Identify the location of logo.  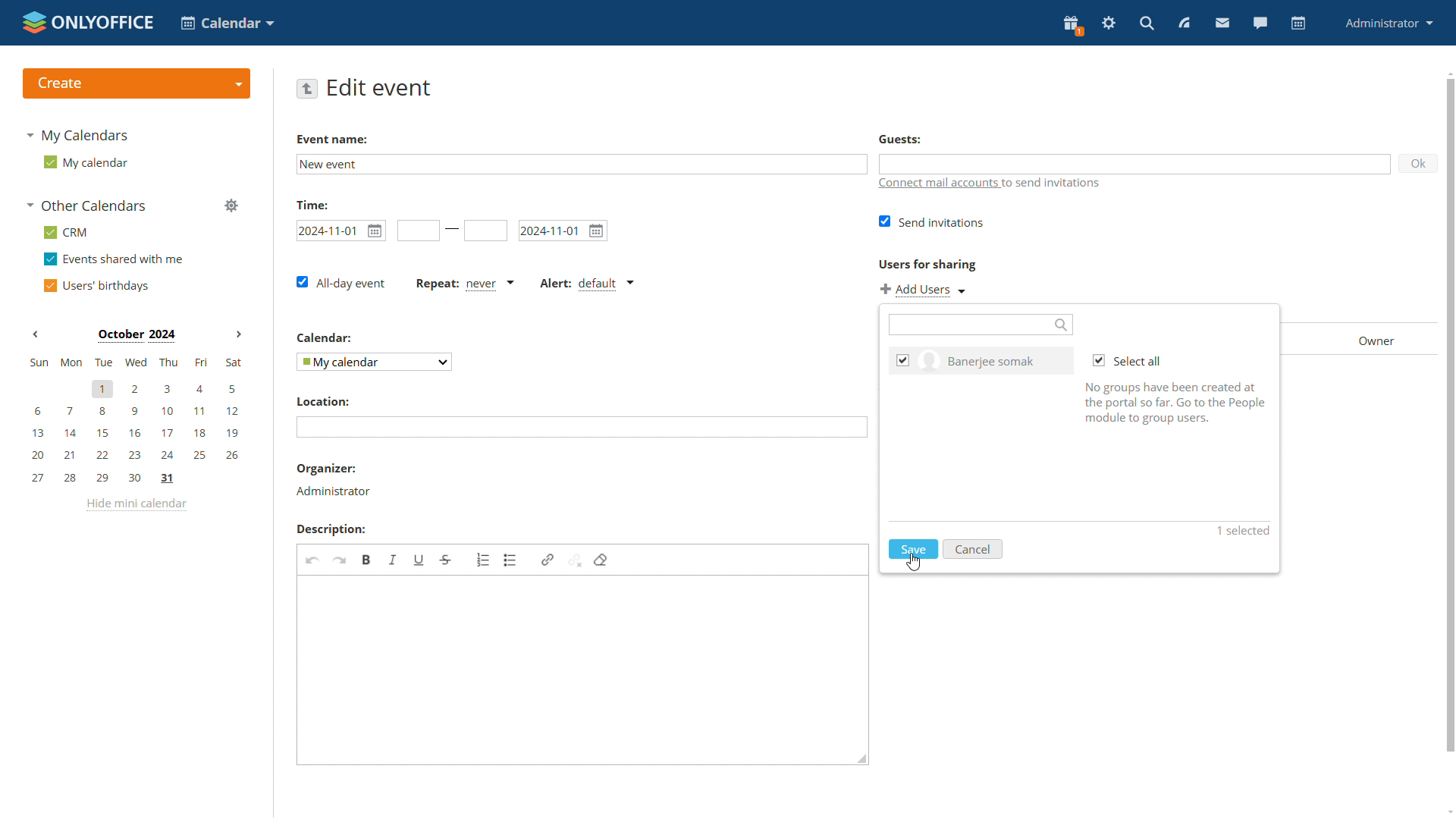
(88, 21).